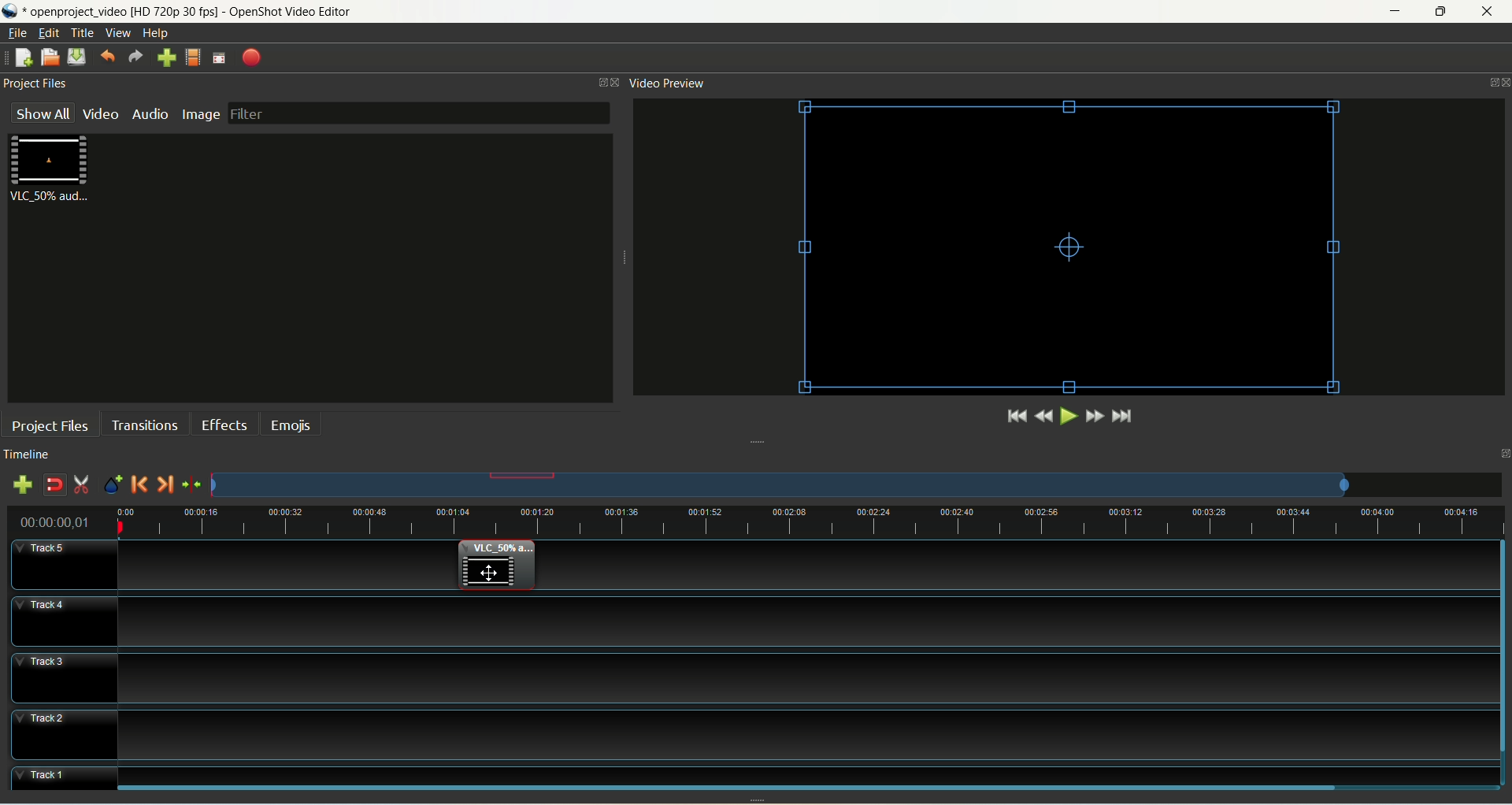 The height and width of the screenshot is (805, 1512). Describe the element at coordinates (107, 58) in the screenshot. I see `undo` at that location.